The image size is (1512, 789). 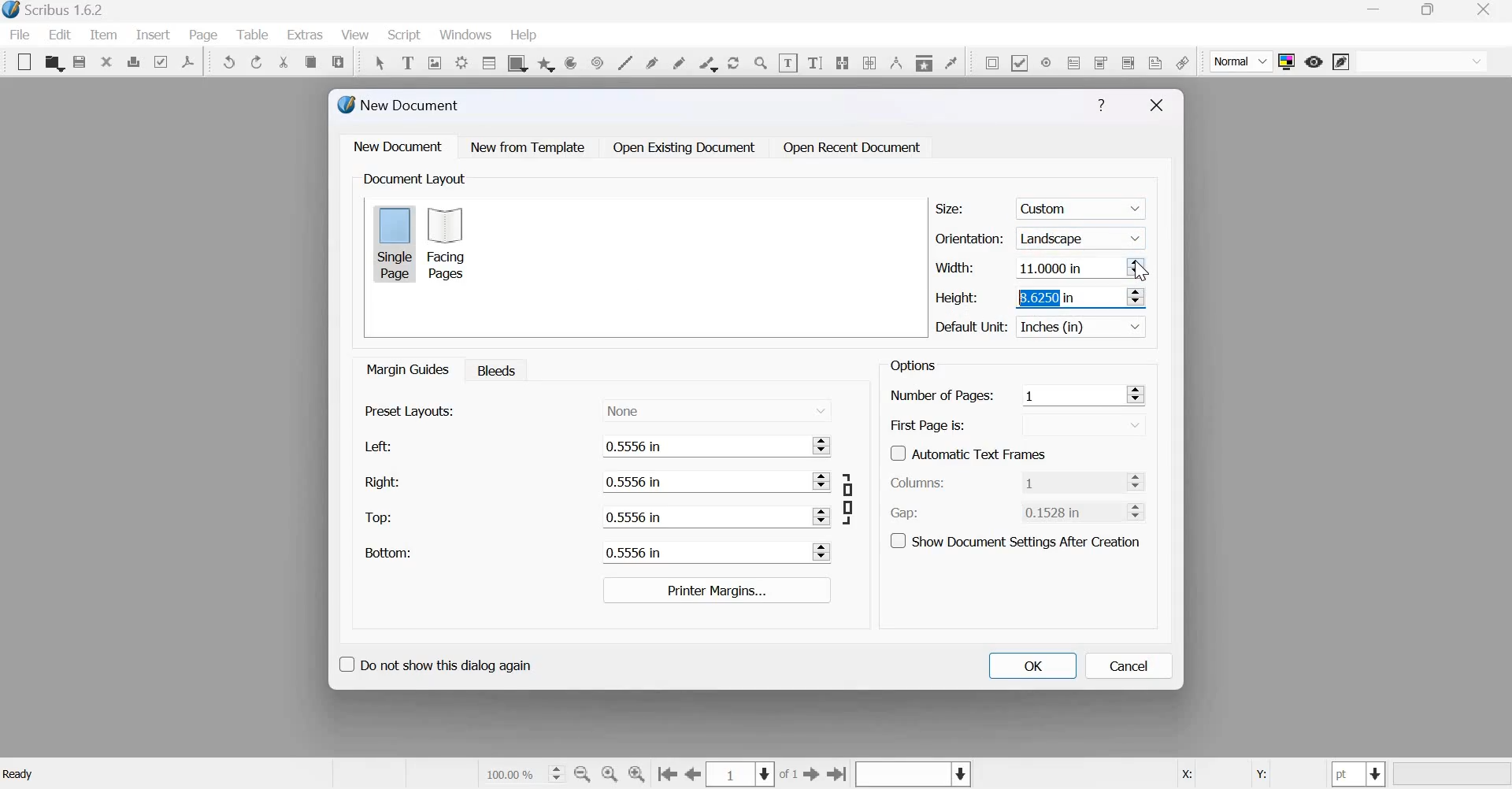 I want to click on extras, so click(x=306, y=35).